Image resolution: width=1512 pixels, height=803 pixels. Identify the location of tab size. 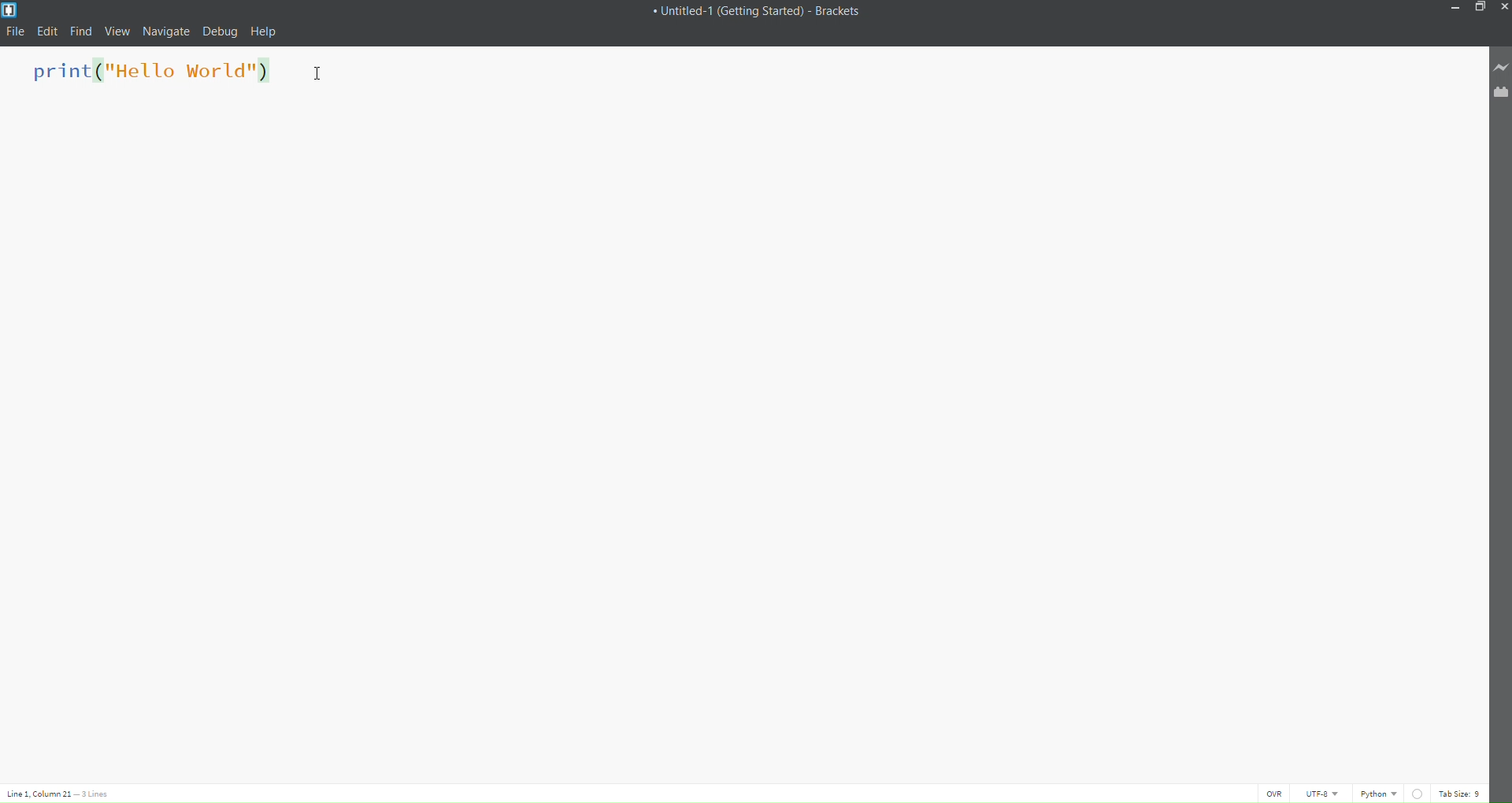
(1461, 794).